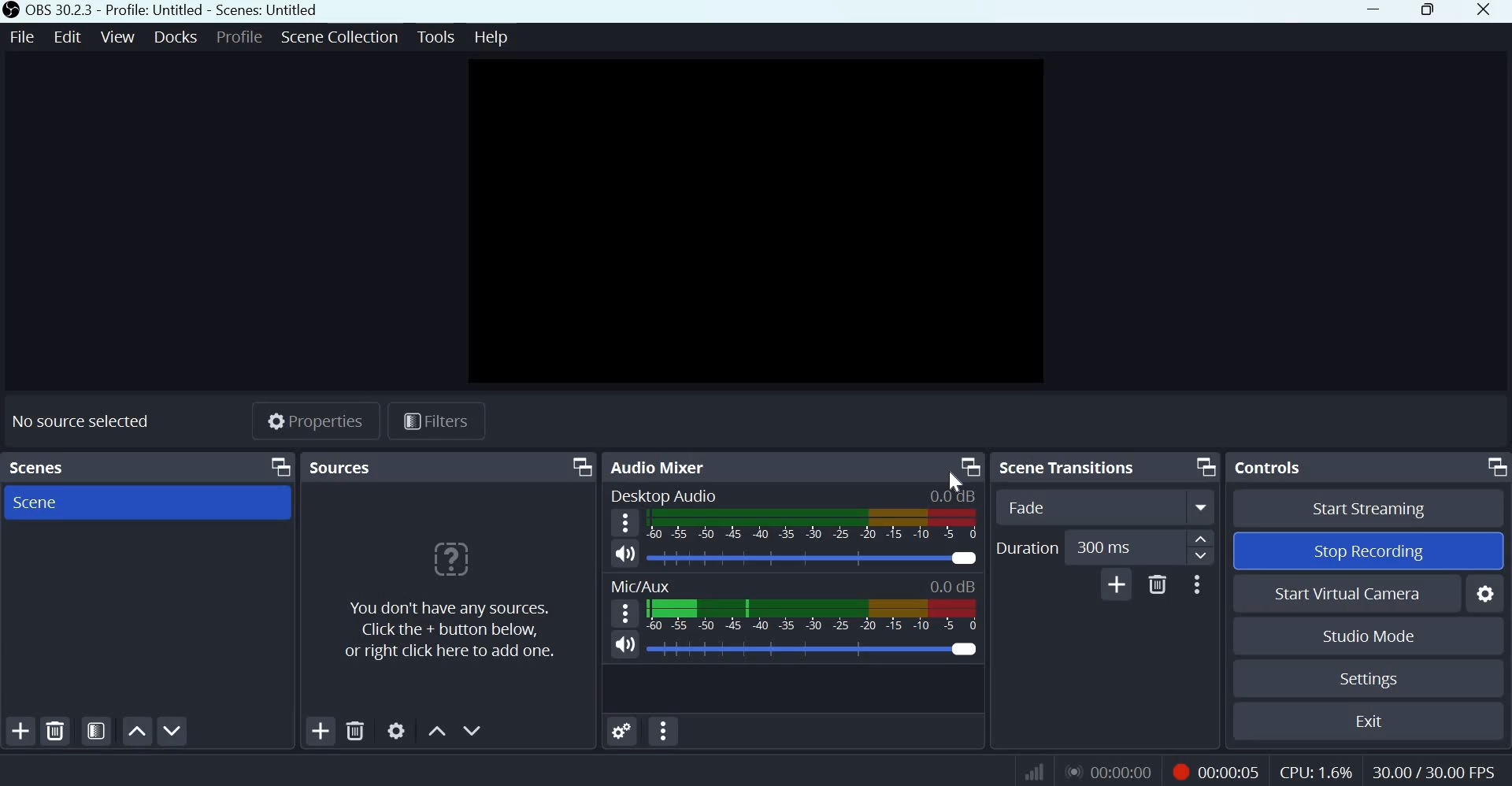  I want to click on Move scene down, so click(174, 729).